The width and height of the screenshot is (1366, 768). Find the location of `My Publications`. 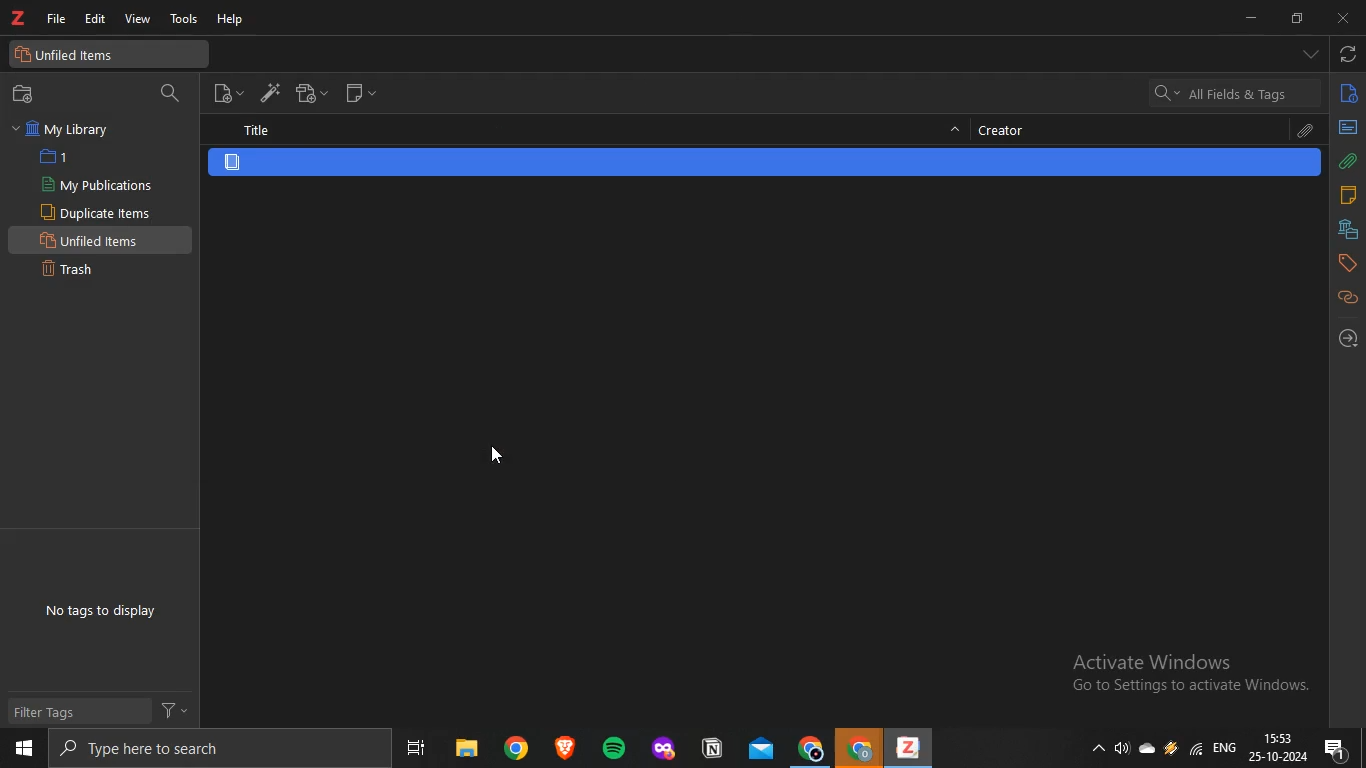

My Publications is located at coordinates (96, 185).